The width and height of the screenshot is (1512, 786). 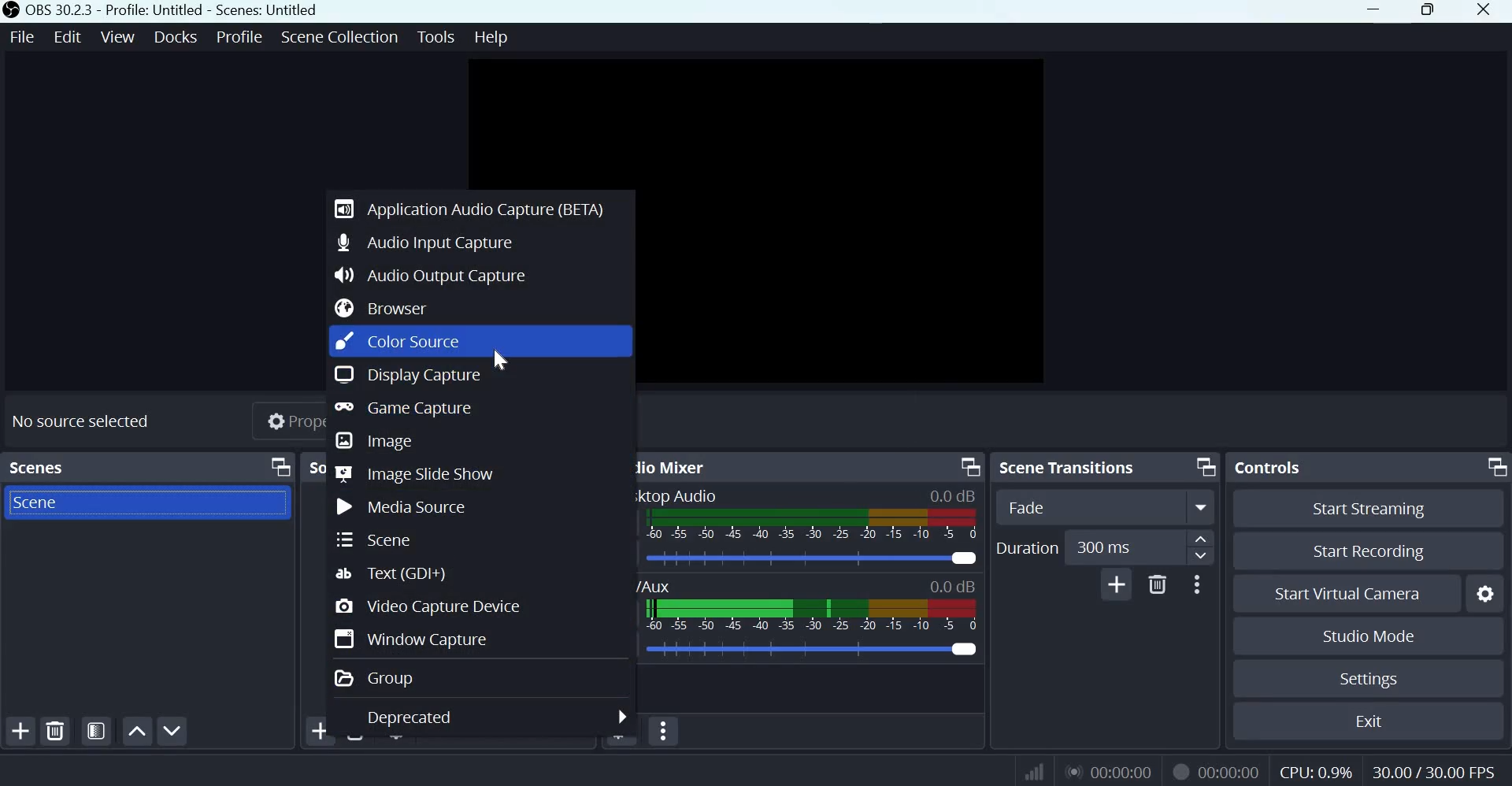 I want to click on Properties, so click(x=290, y=423).